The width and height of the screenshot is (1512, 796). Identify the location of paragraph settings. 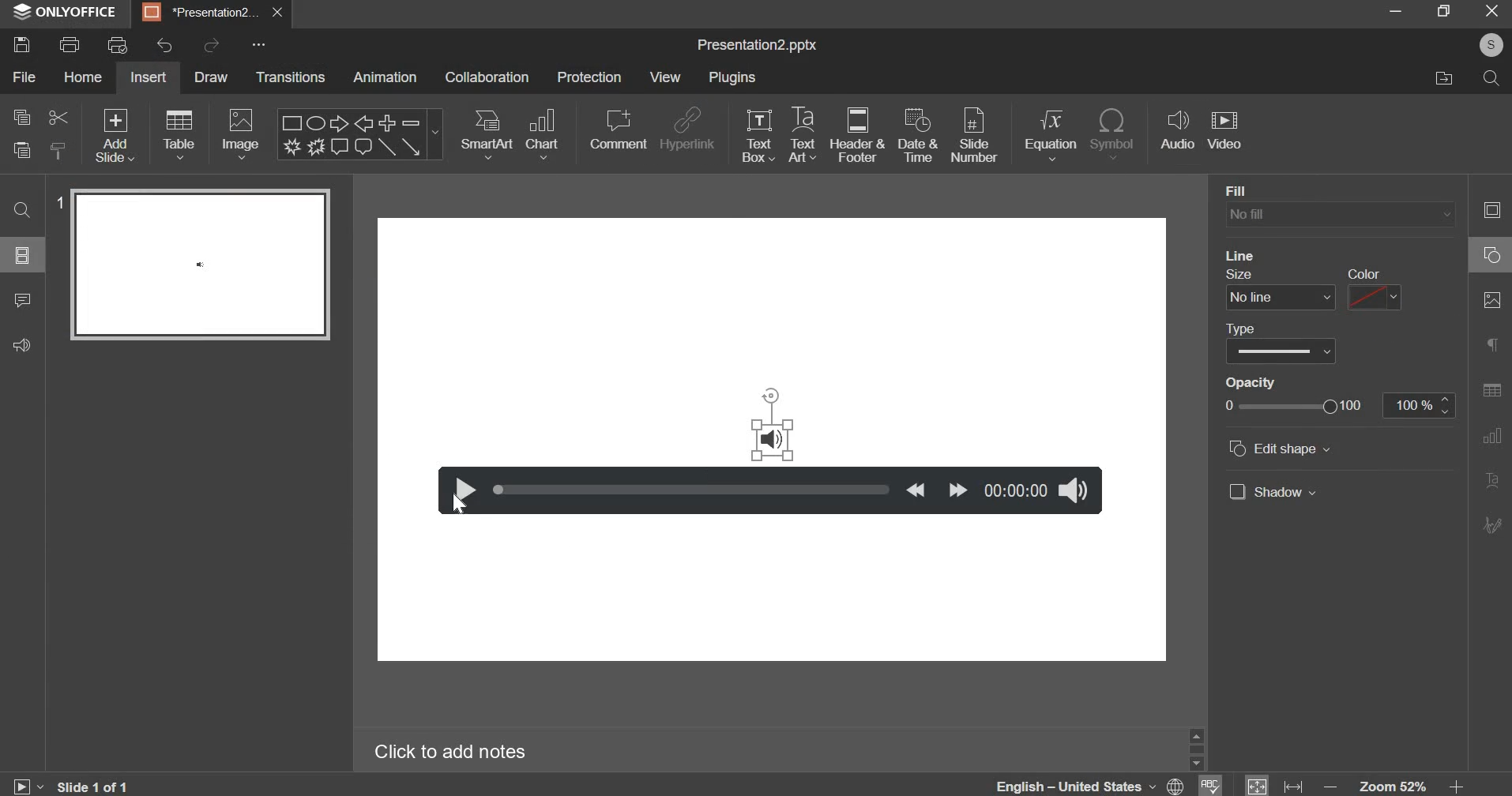
(1491, 343).